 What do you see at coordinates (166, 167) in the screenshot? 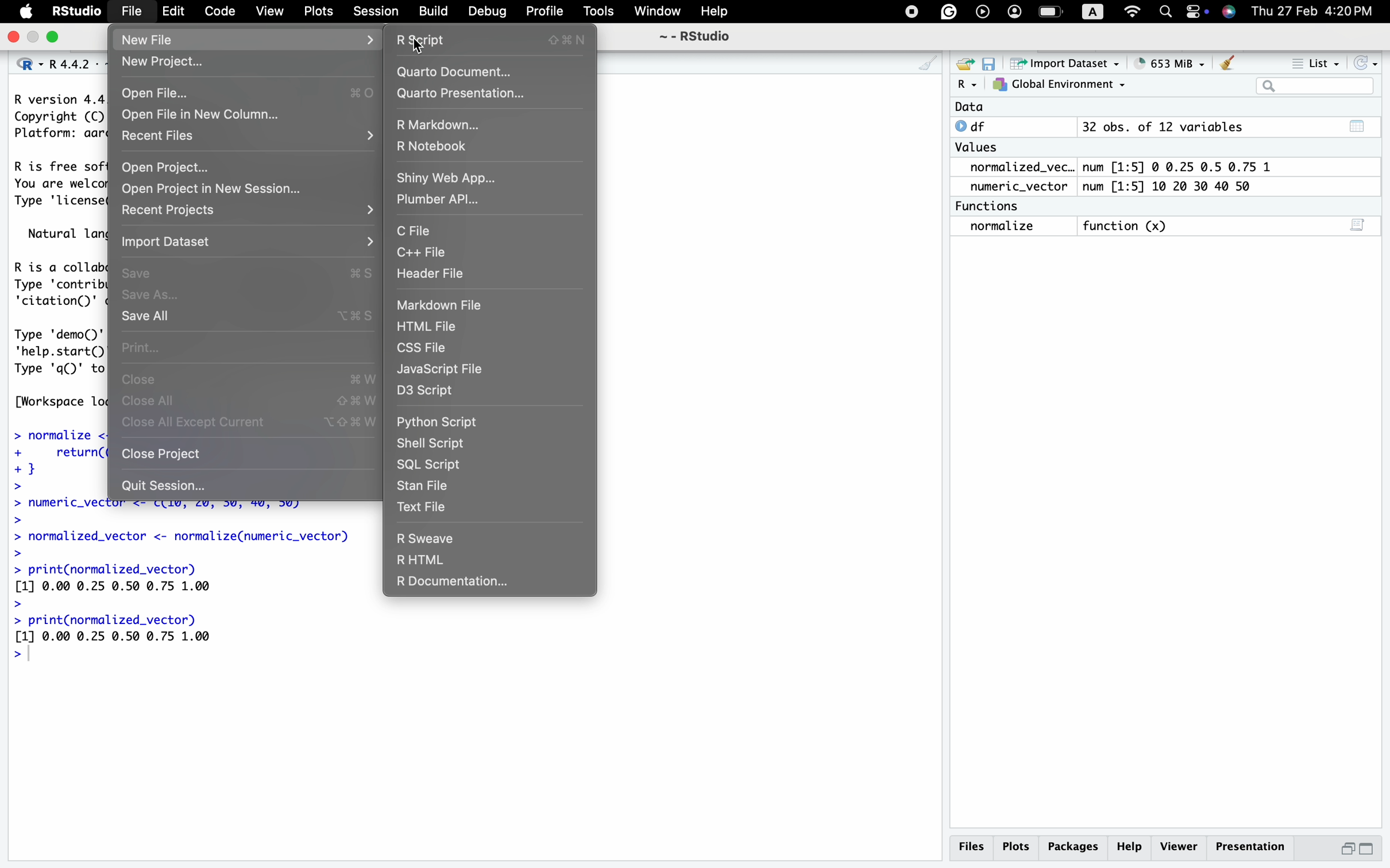
I see `Open Project` at bounding box center [166, 167].